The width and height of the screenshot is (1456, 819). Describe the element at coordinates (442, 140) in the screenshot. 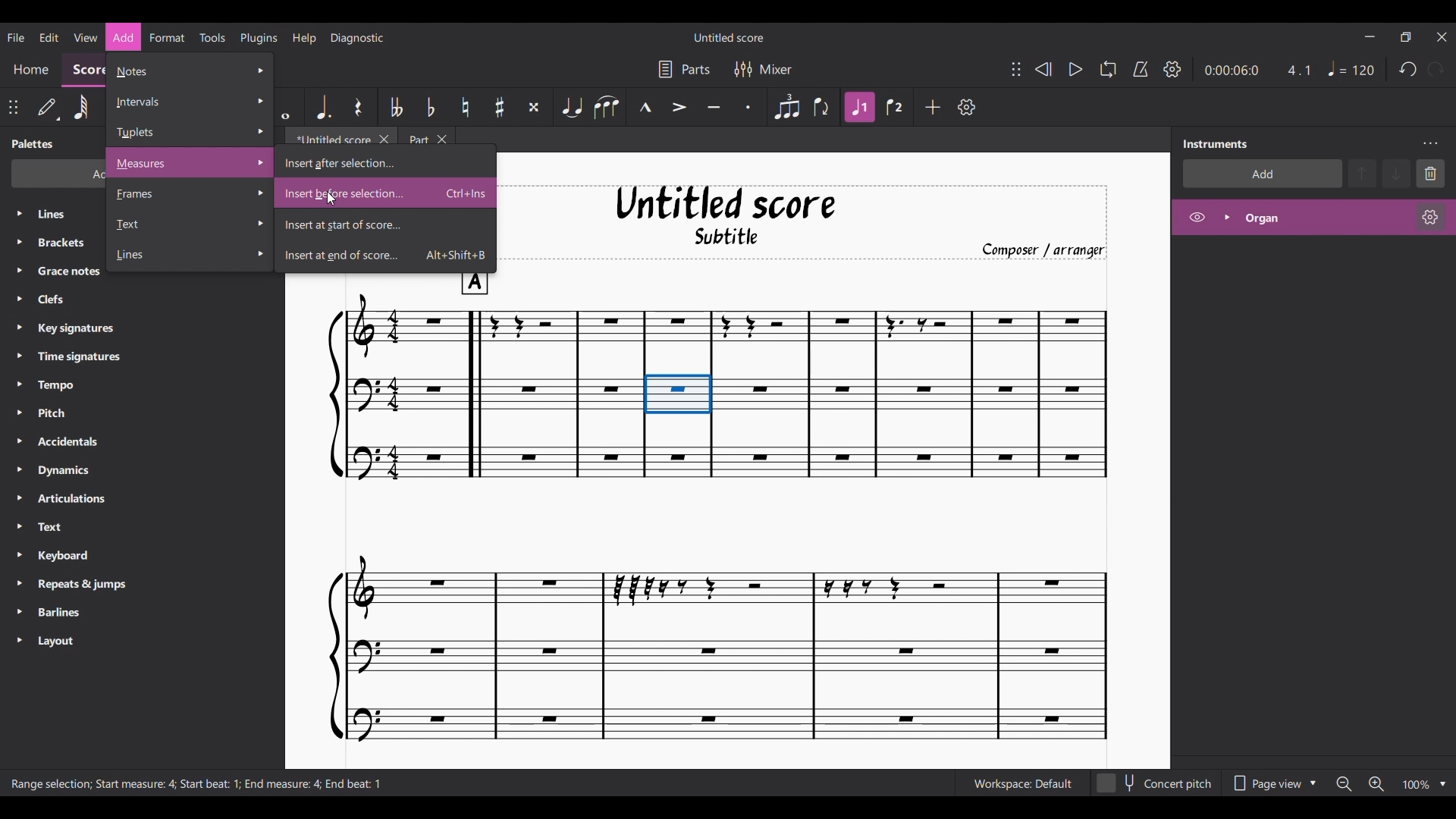

I see `Close Part tab` at that location.